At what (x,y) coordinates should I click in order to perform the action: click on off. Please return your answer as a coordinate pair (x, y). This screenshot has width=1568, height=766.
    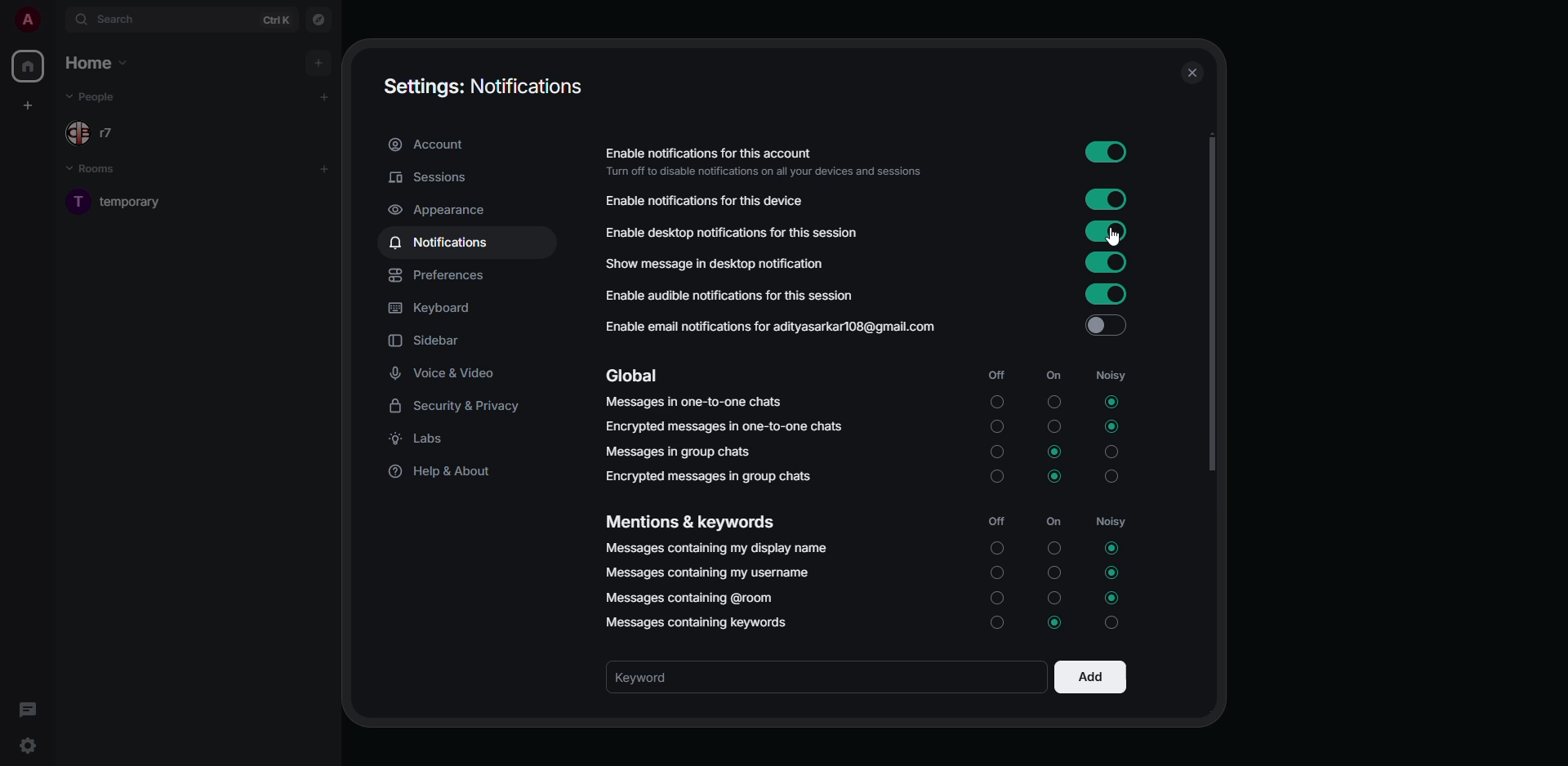
    Looking at the image, I should click on (996, 374).